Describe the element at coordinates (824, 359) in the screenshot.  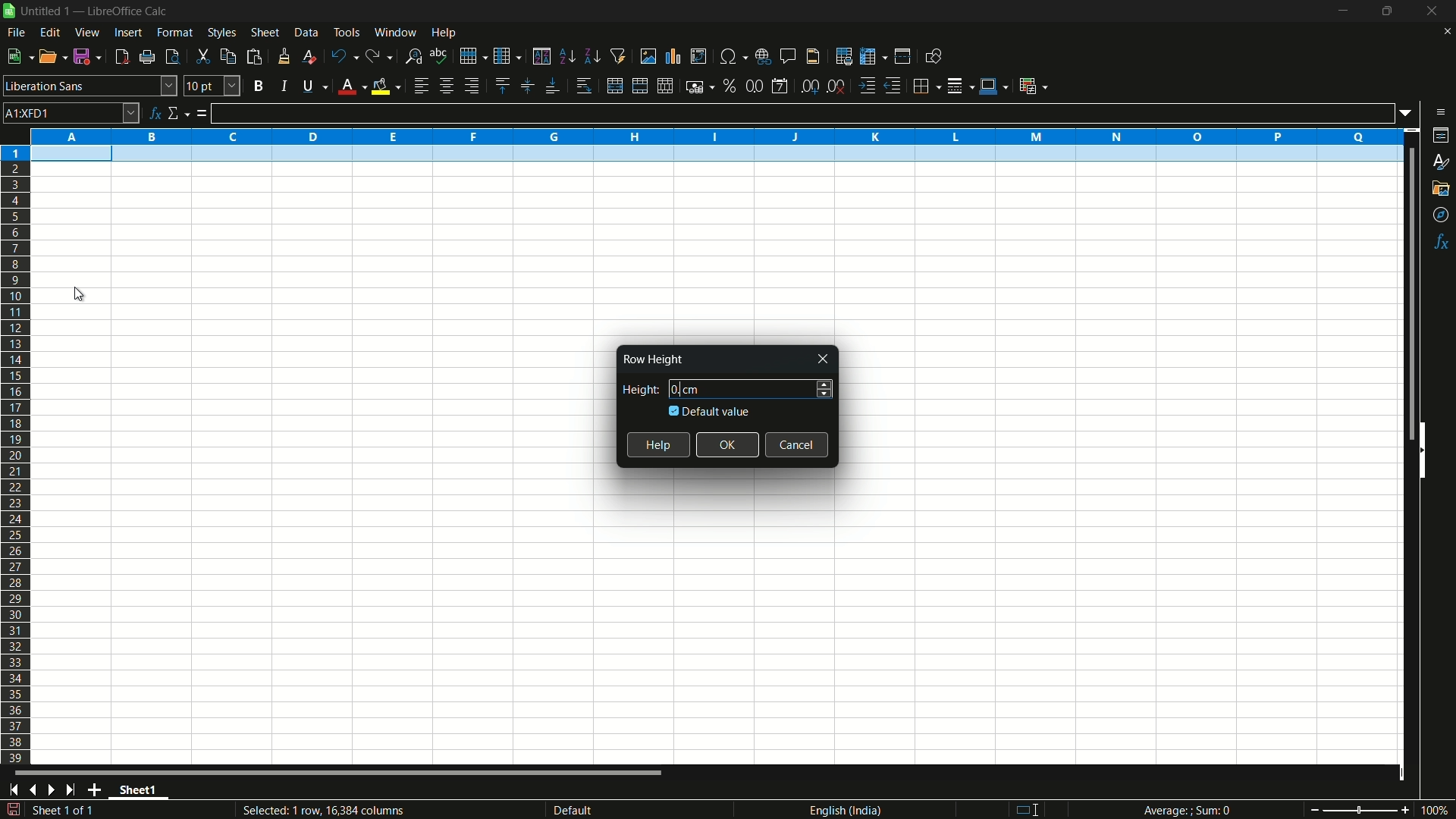
I see `close` at that location.